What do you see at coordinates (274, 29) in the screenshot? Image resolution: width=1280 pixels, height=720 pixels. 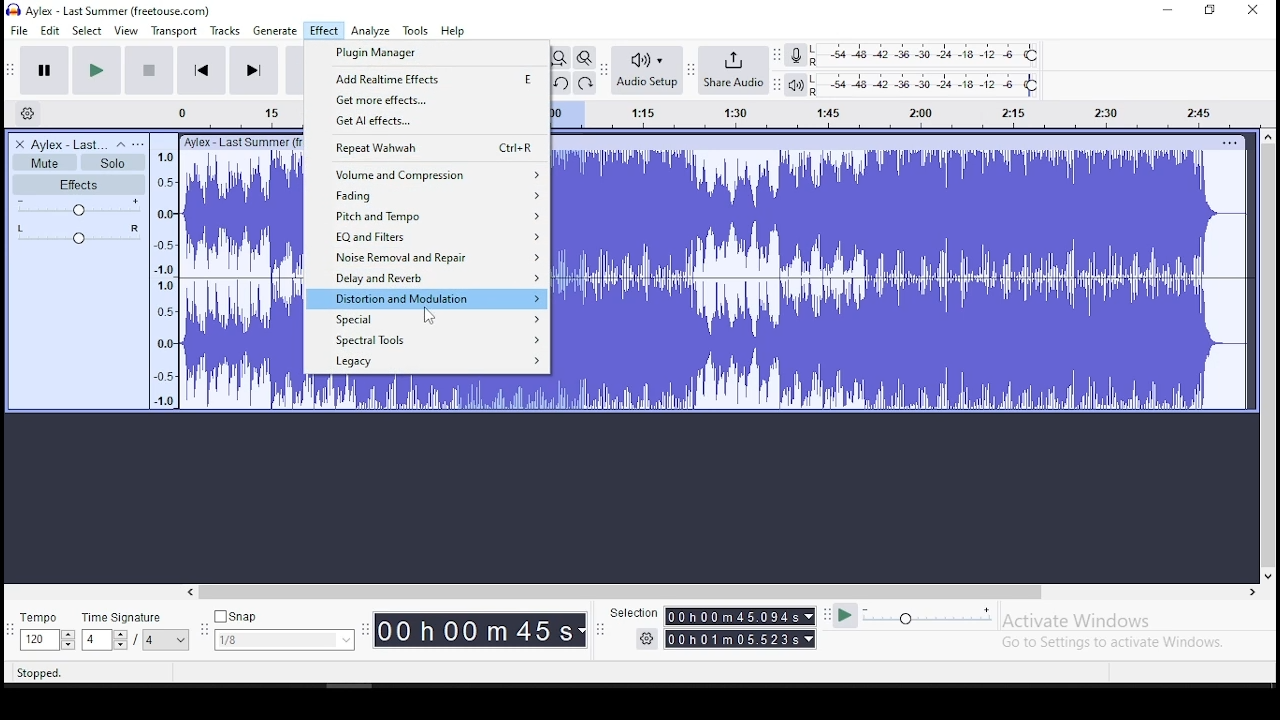 I see `generate` at bounding box center [274, 29].